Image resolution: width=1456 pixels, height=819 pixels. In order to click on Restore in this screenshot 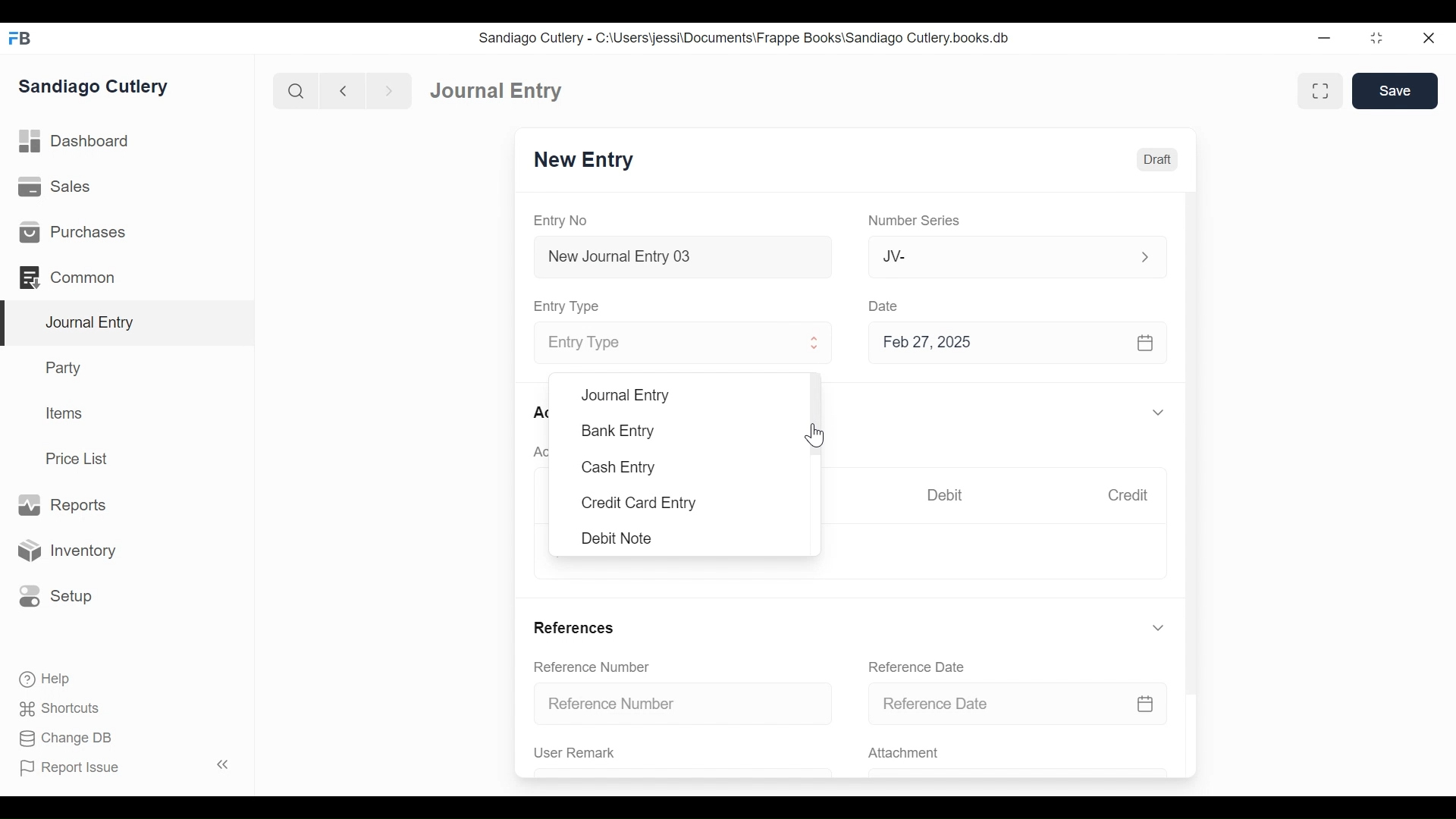, I will do `click(1376, 37)`.